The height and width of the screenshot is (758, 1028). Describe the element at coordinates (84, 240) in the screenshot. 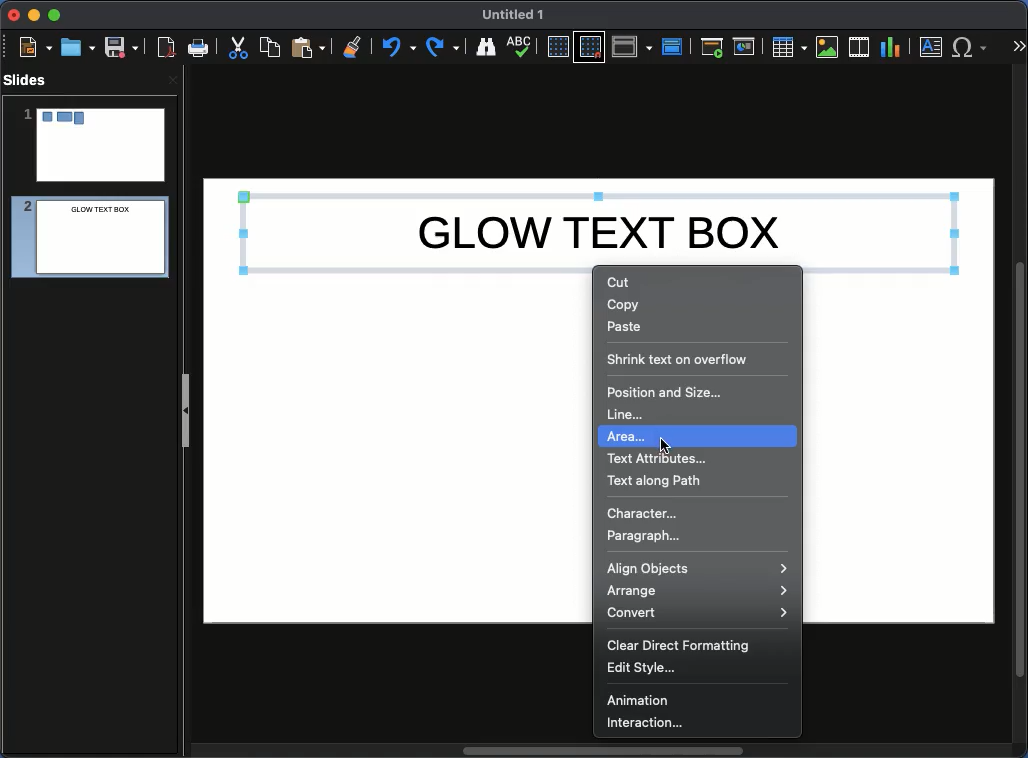

I see `Slide 2` at that location.